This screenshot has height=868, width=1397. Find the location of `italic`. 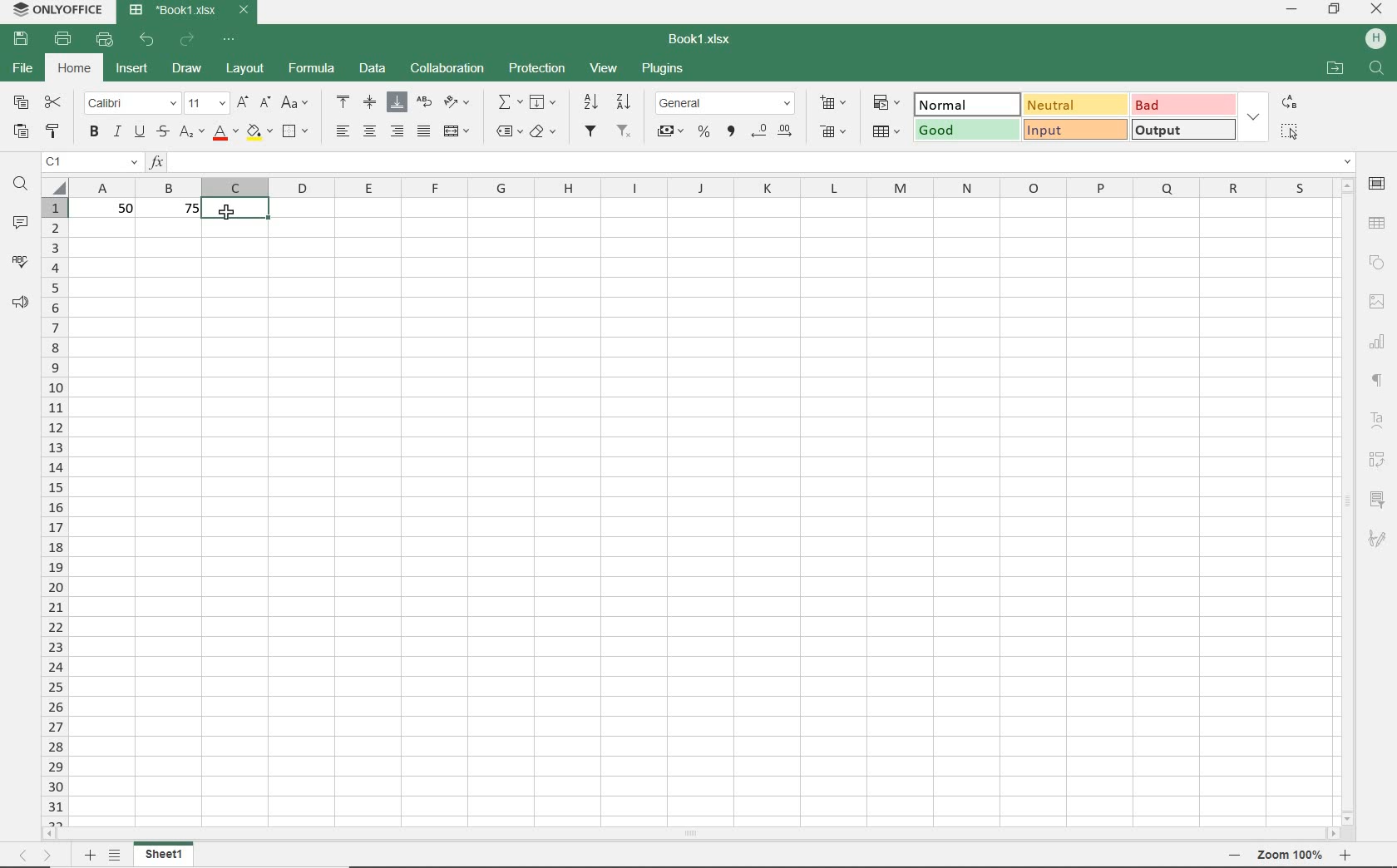

italic is located at coordinates (116, 132).